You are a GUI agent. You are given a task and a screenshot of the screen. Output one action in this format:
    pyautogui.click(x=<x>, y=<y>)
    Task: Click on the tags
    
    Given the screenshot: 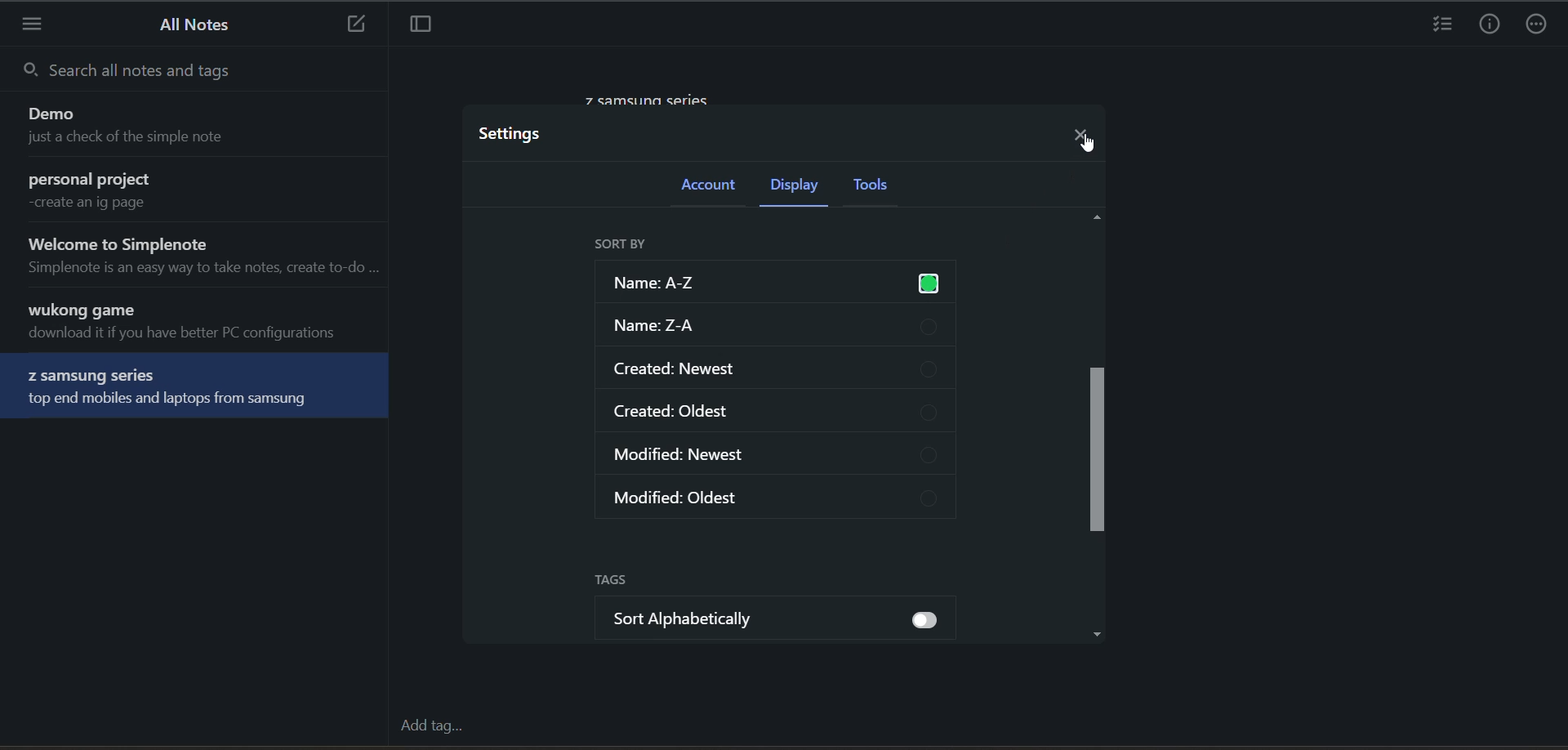 What is the action you would take?
    pyautogui.click(x=622, y=582)
    